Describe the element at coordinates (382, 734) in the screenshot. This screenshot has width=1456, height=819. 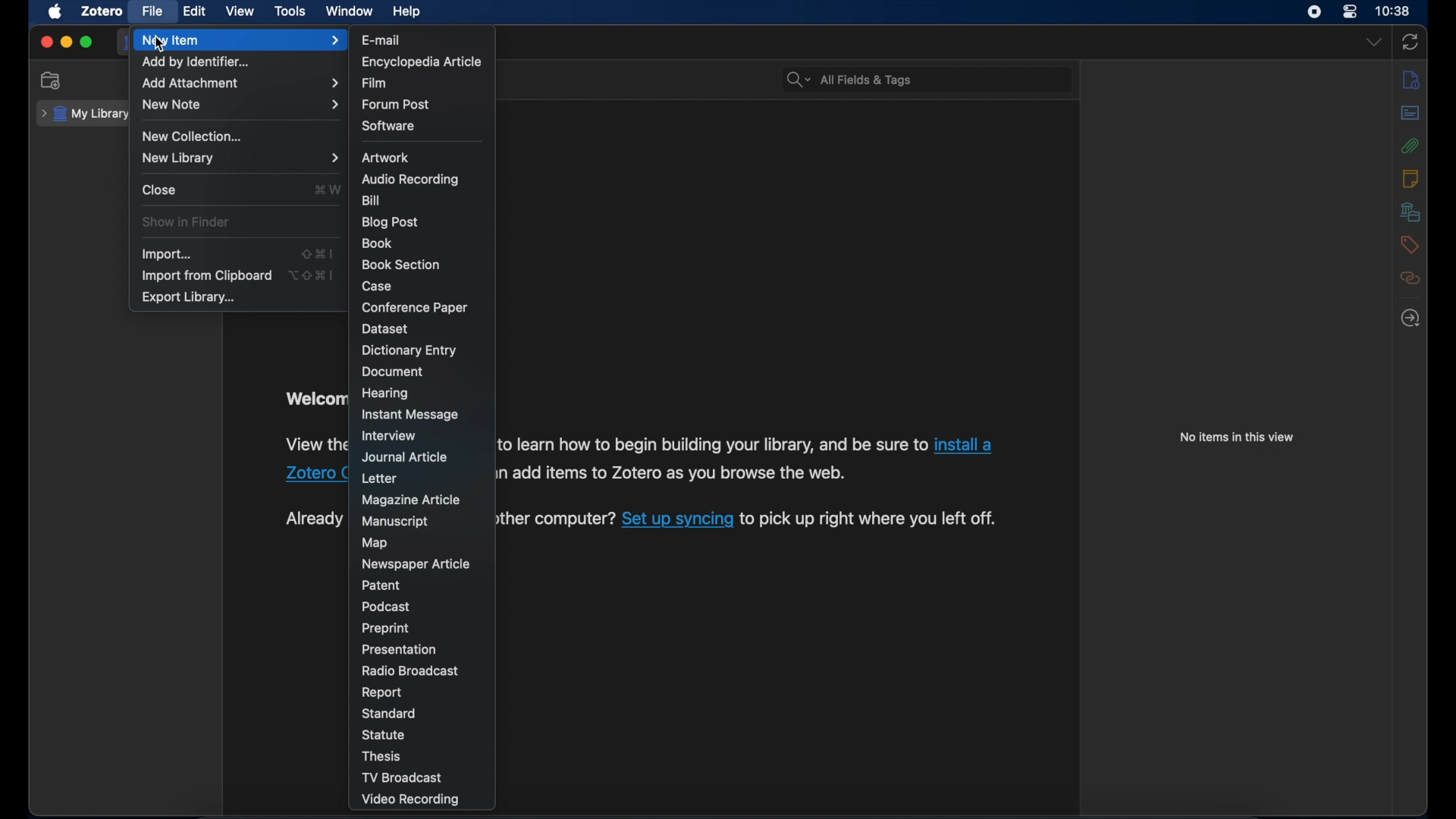
I see `statue` at that location.